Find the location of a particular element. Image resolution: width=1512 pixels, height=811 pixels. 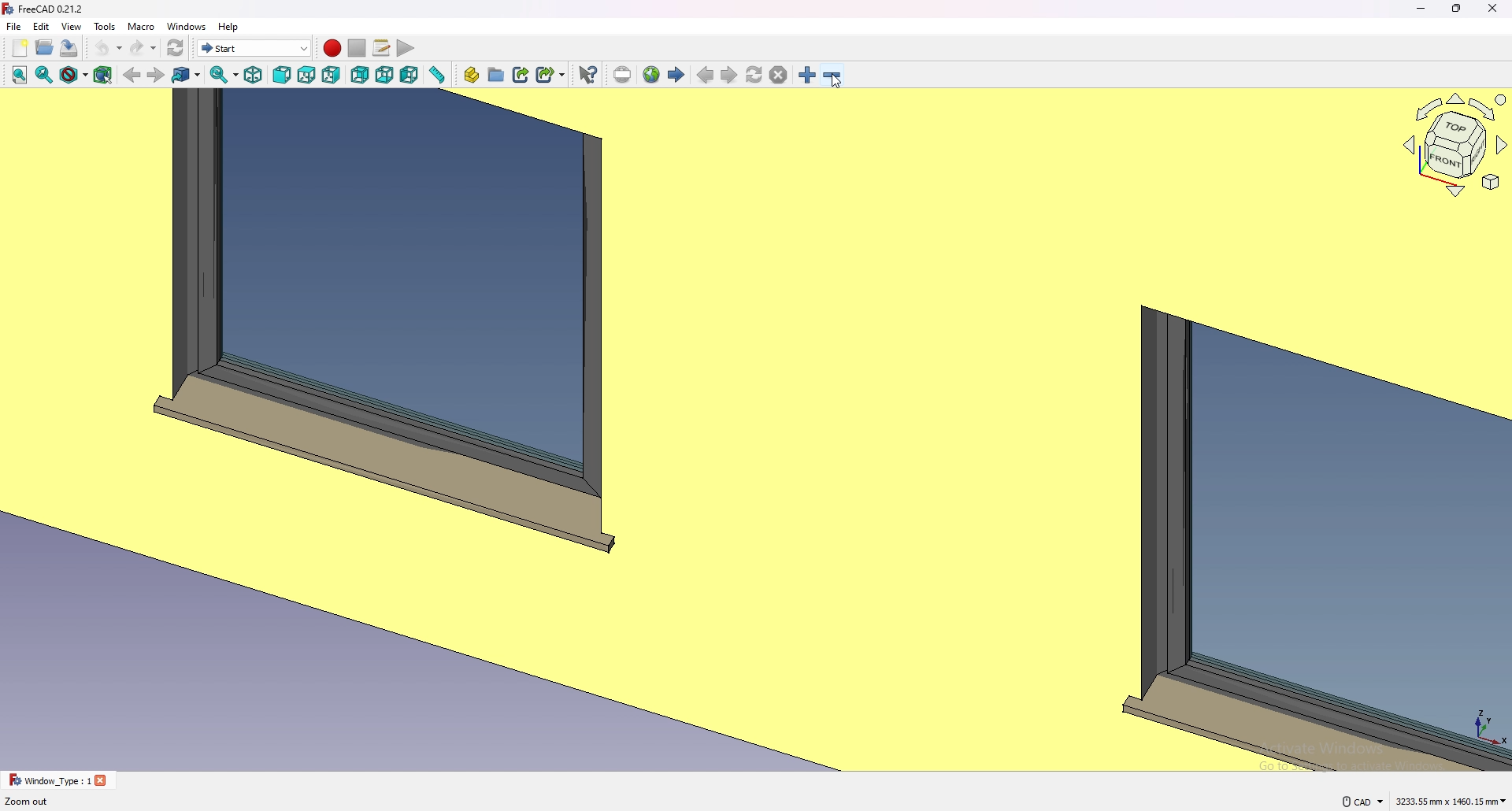

previous page is located at coordinates (706, 76).